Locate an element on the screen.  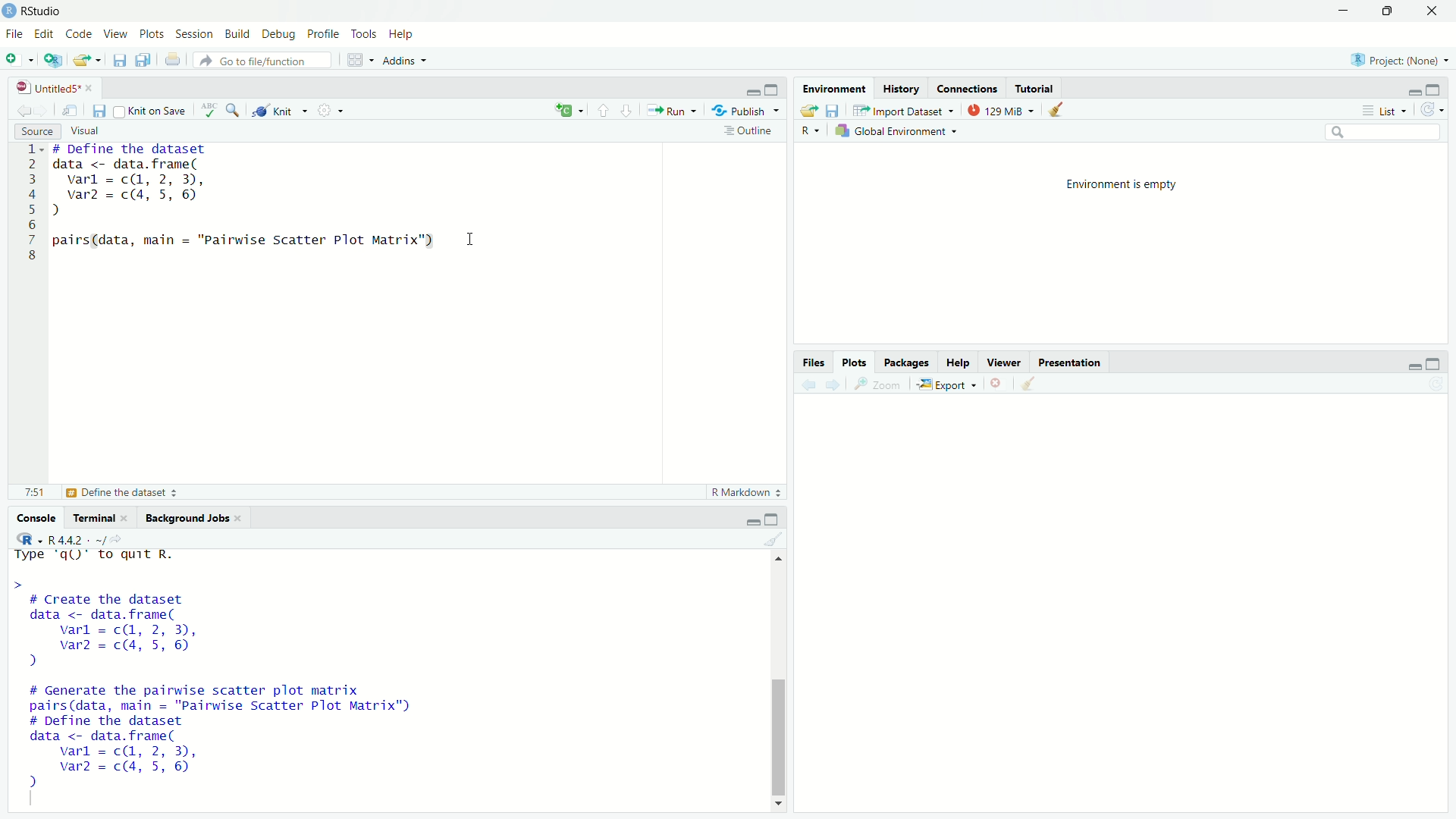
Global Environment is located at coordinates (899, 130).